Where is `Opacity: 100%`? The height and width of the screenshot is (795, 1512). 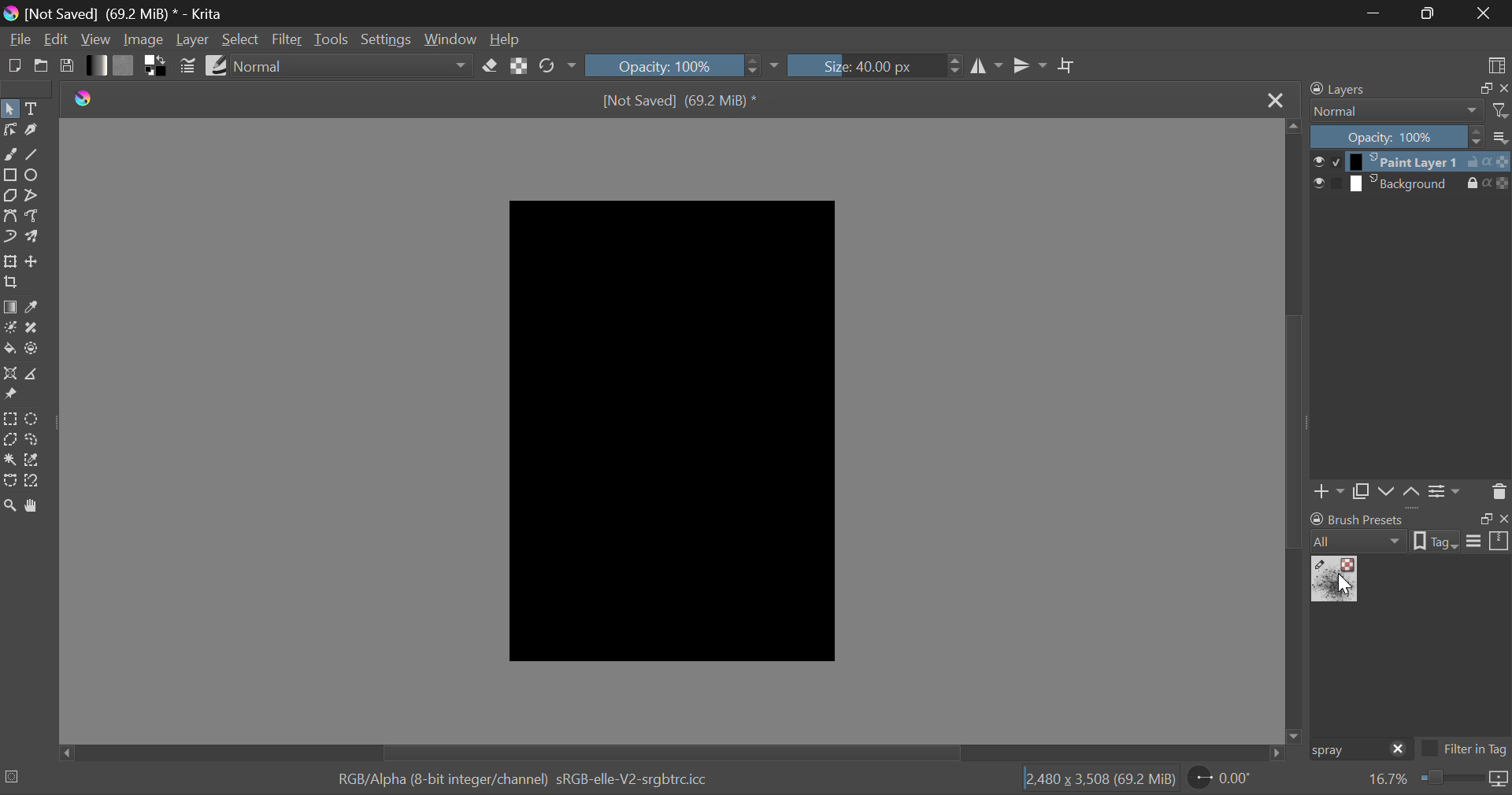 Opacity: 100% is located at coordinates (684, 65).